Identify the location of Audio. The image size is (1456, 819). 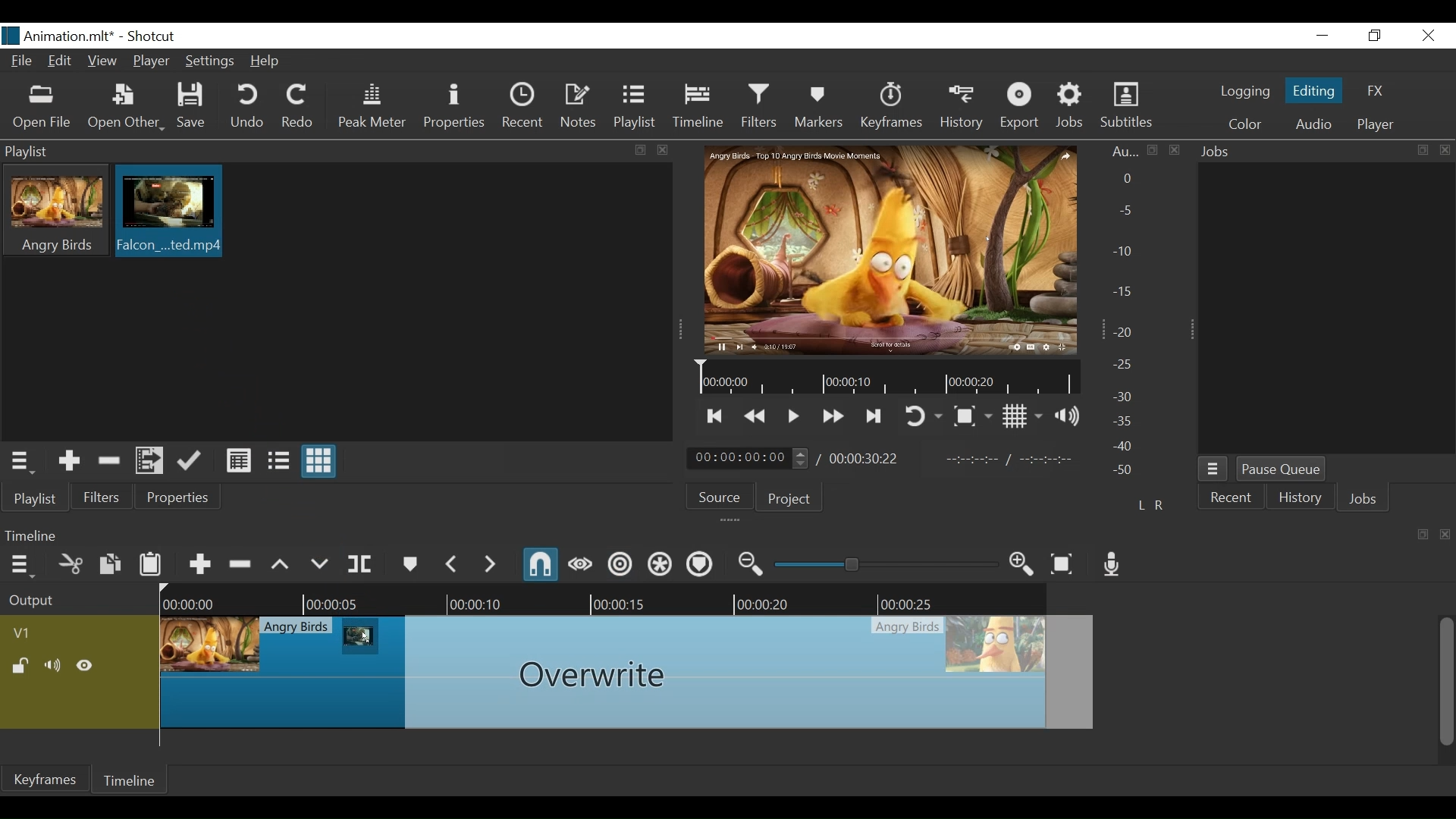
(1312, 124).